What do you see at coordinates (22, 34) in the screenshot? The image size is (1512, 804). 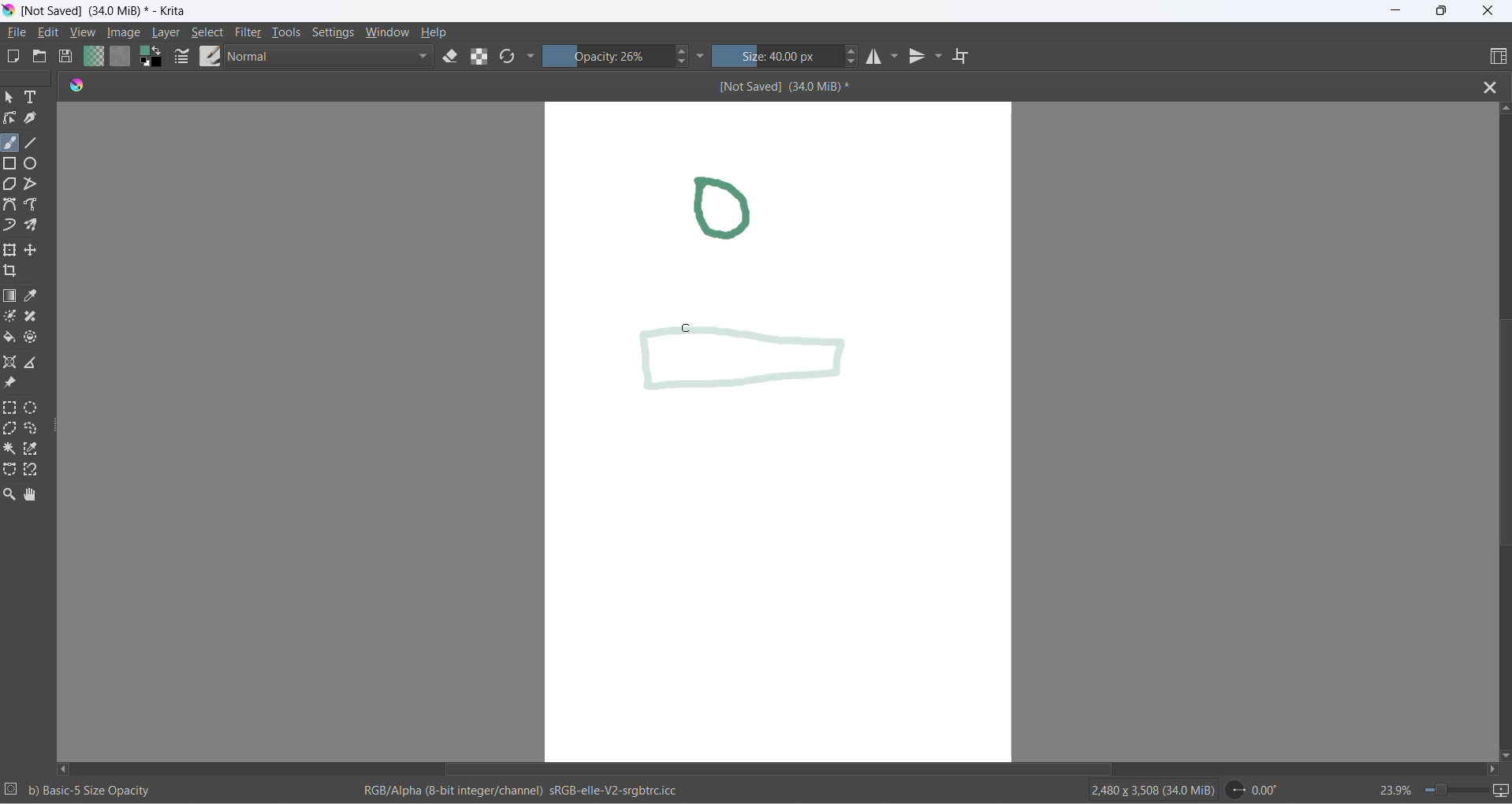 I see `file` at bounding box center [22, 34].